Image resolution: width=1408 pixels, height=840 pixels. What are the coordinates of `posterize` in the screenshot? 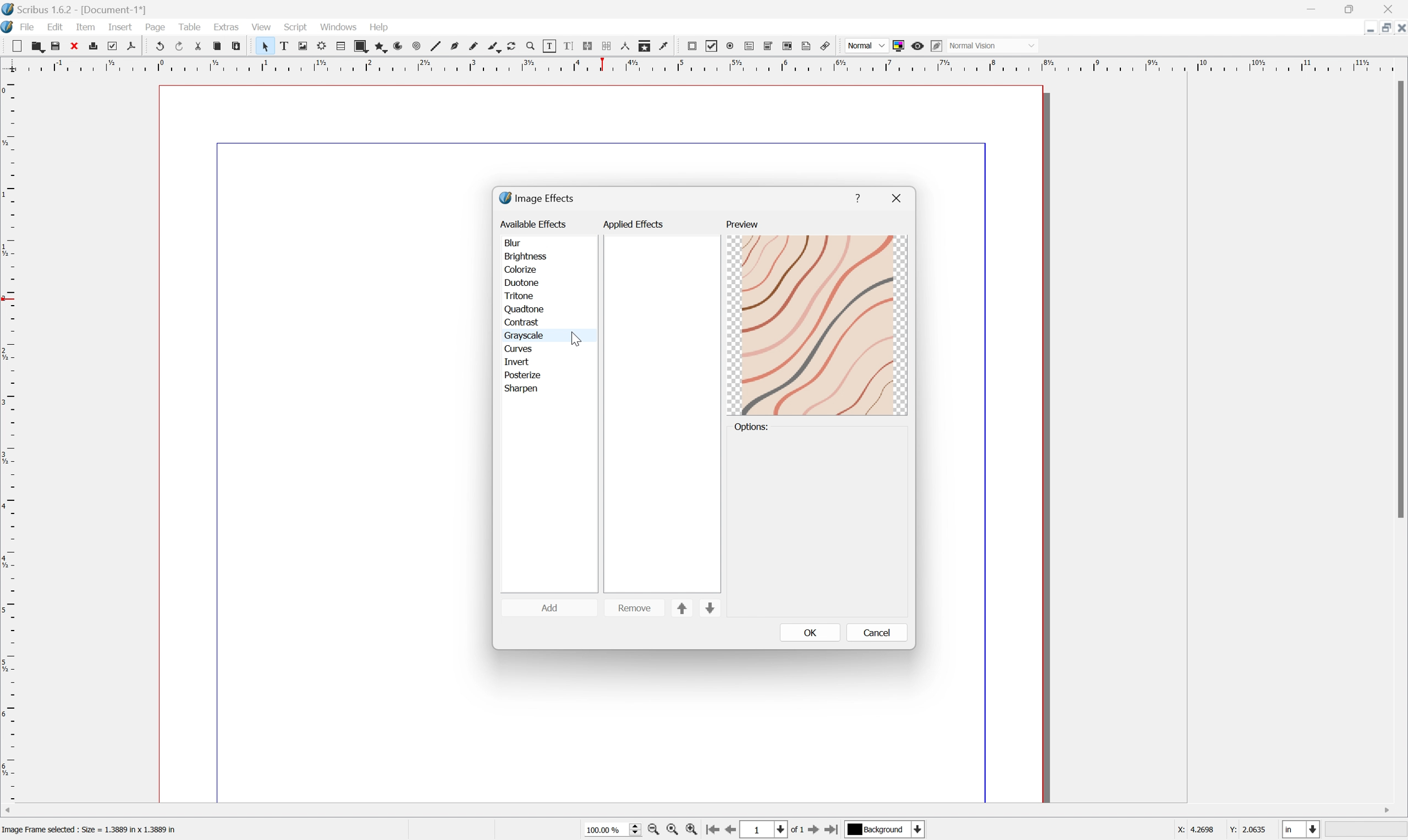 It's located at (521, 375).